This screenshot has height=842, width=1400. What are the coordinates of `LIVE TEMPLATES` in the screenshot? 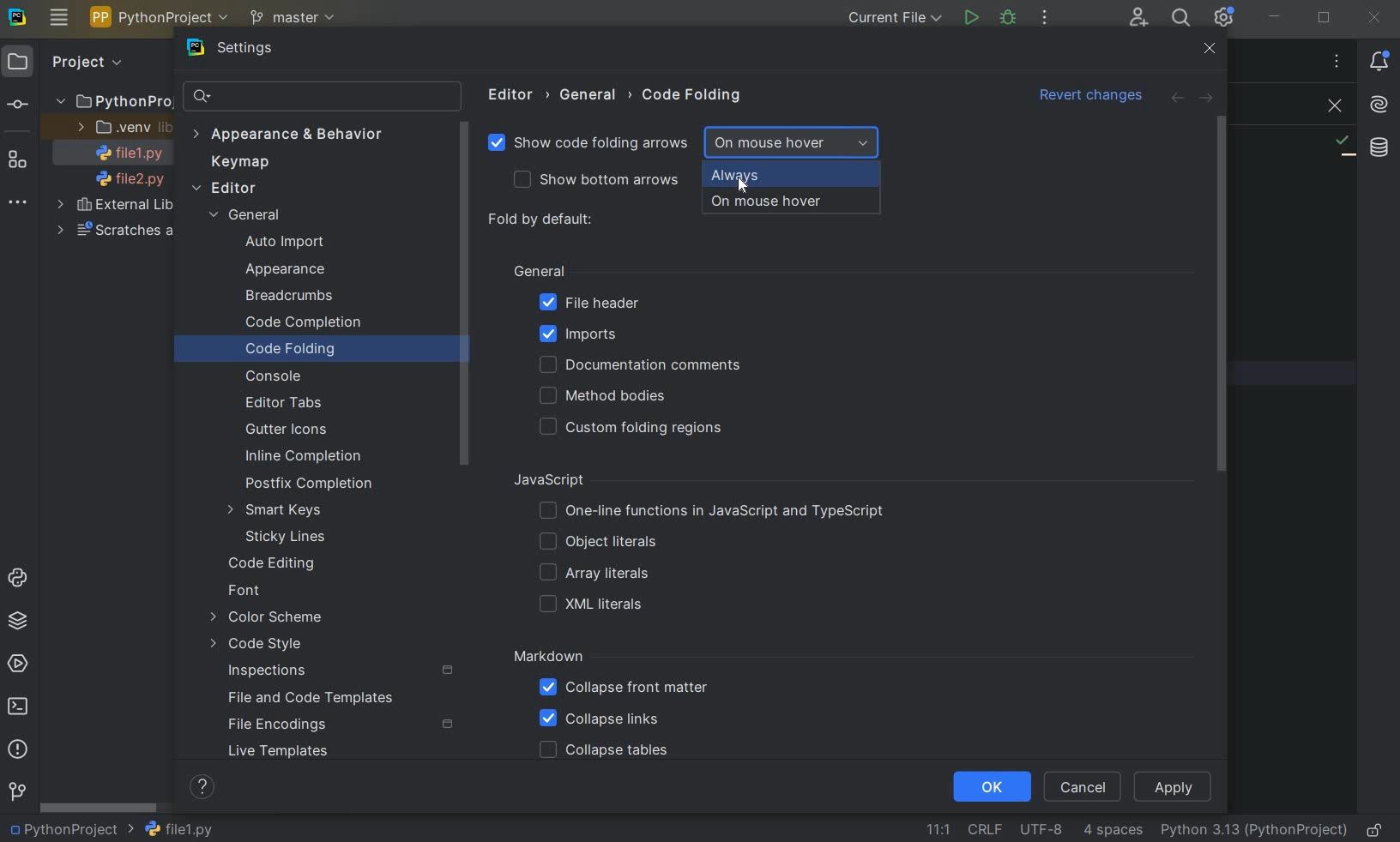 It's located at (305, 751).